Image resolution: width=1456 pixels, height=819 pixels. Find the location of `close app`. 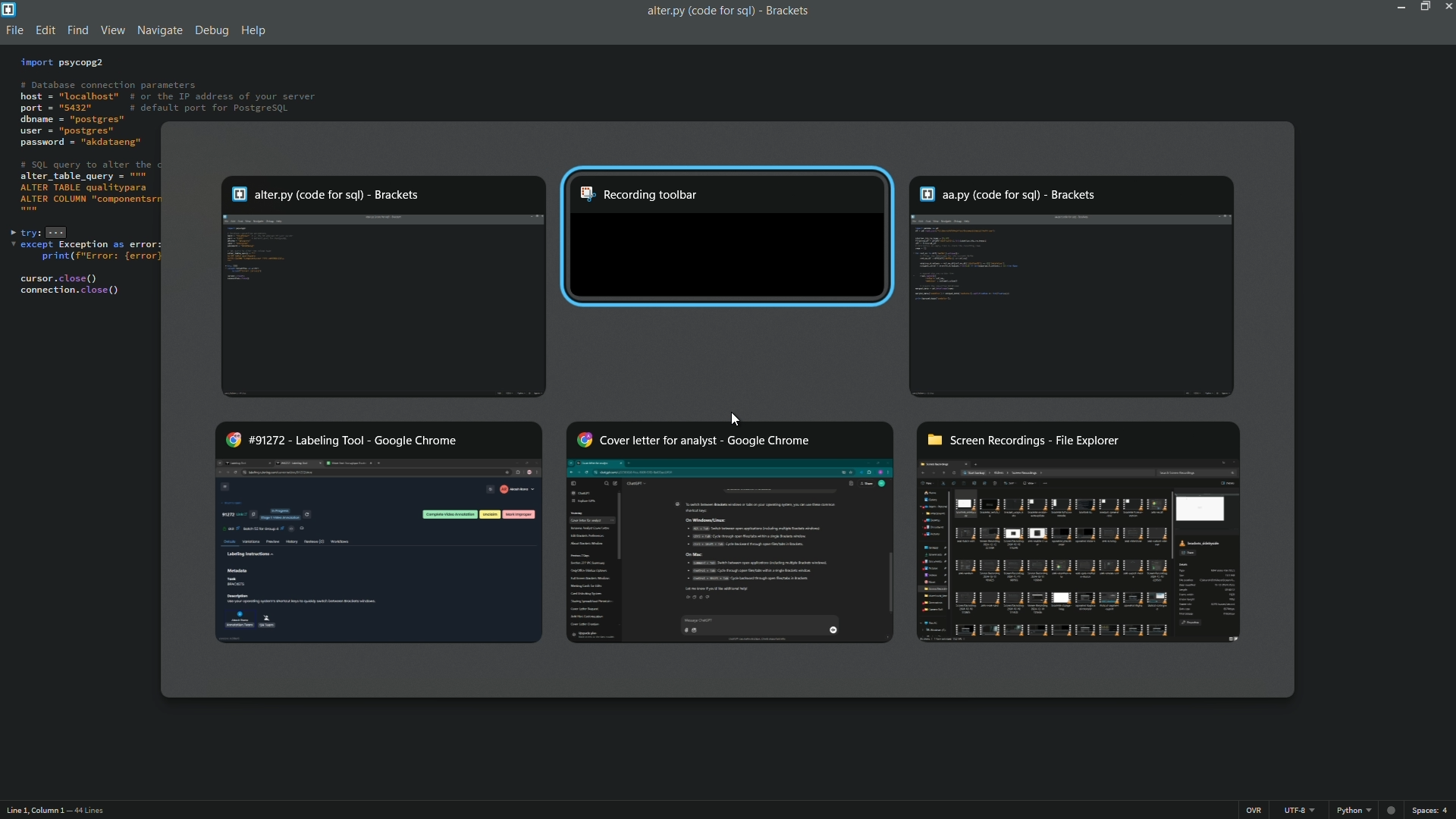

close app is located at coordinates (1447, 8).